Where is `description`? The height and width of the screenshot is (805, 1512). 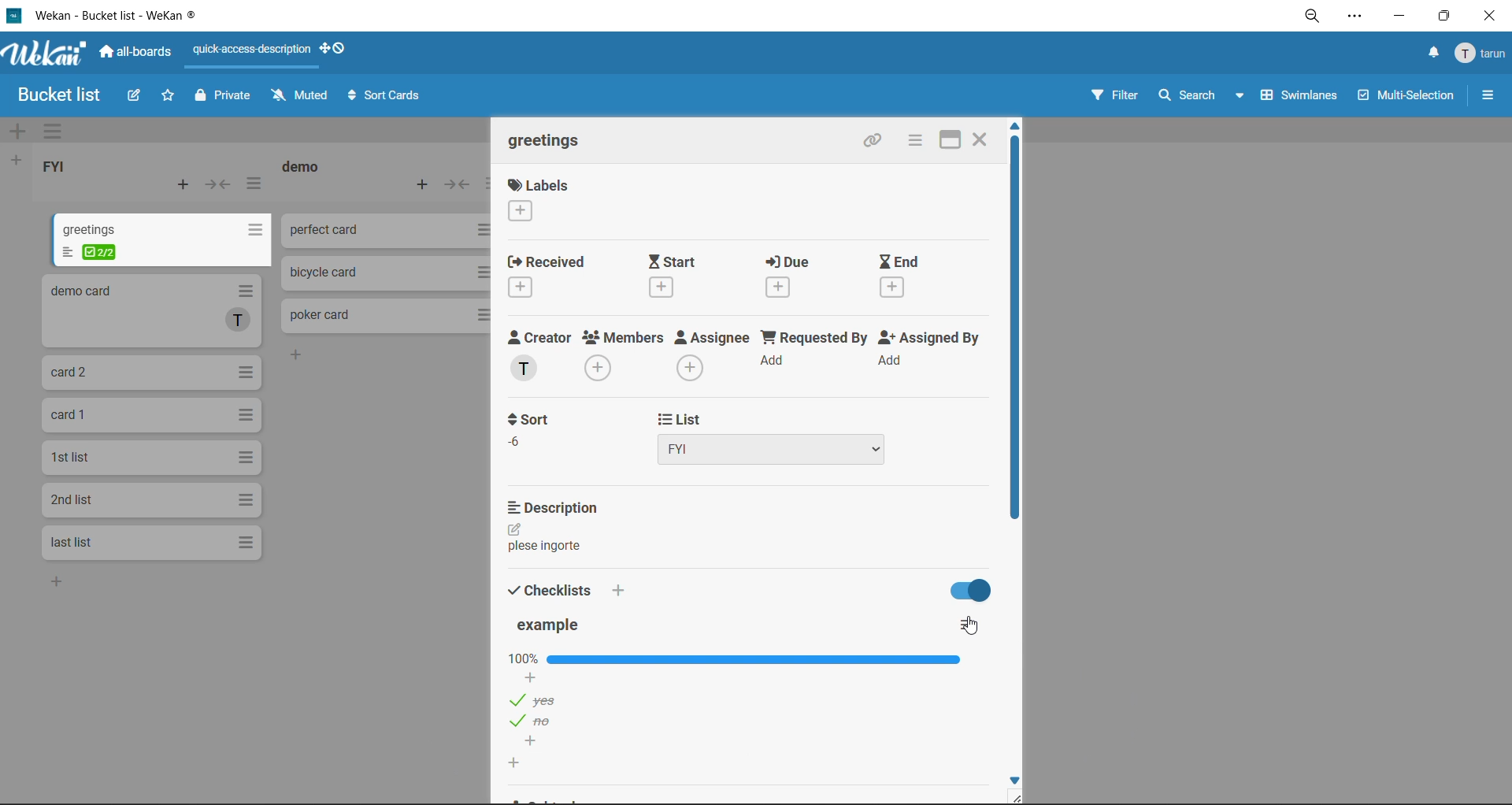 description is located at coordinates (558, 509).